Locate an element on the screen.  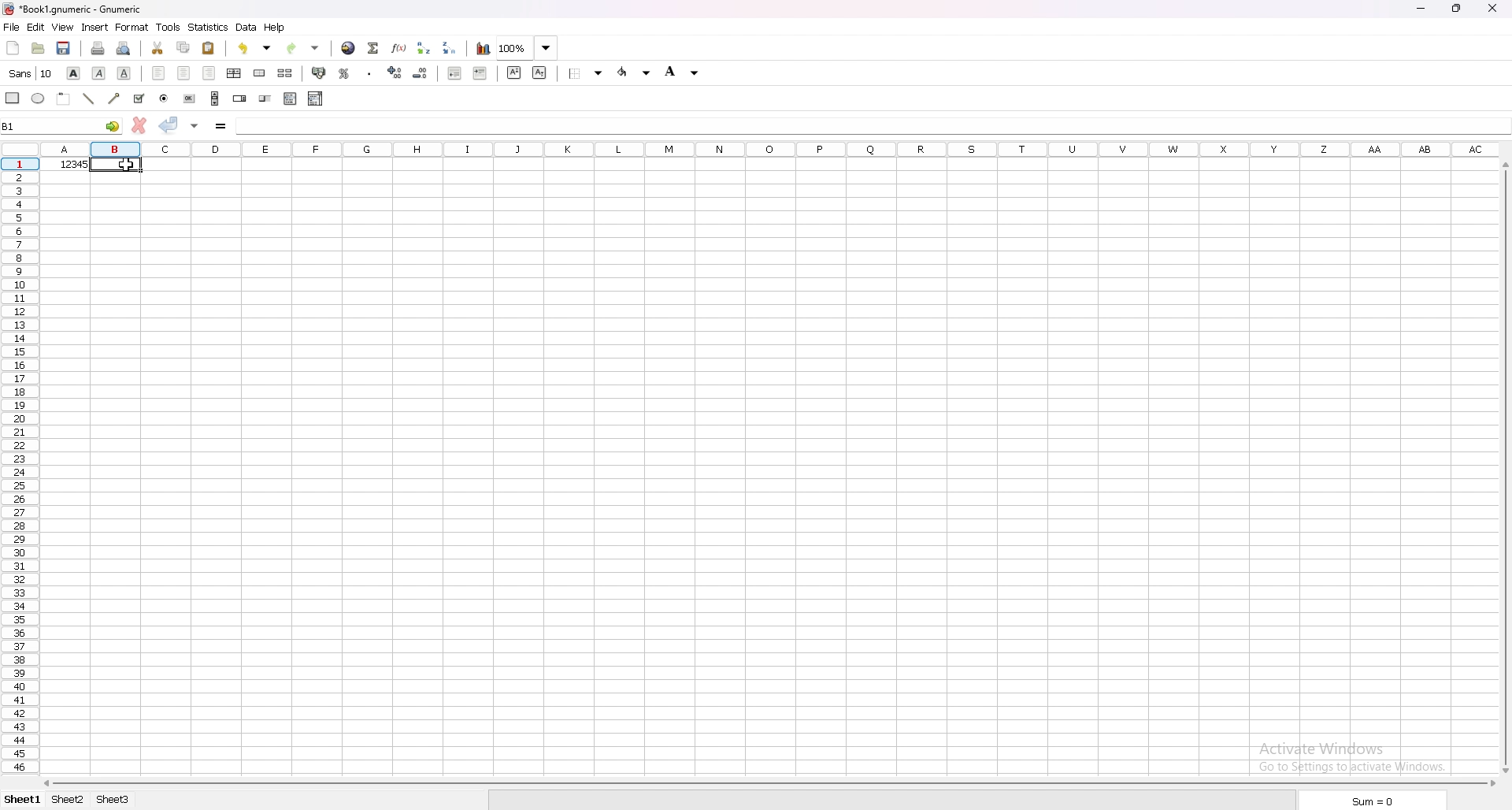
columns is located at coordinates (772, 147).